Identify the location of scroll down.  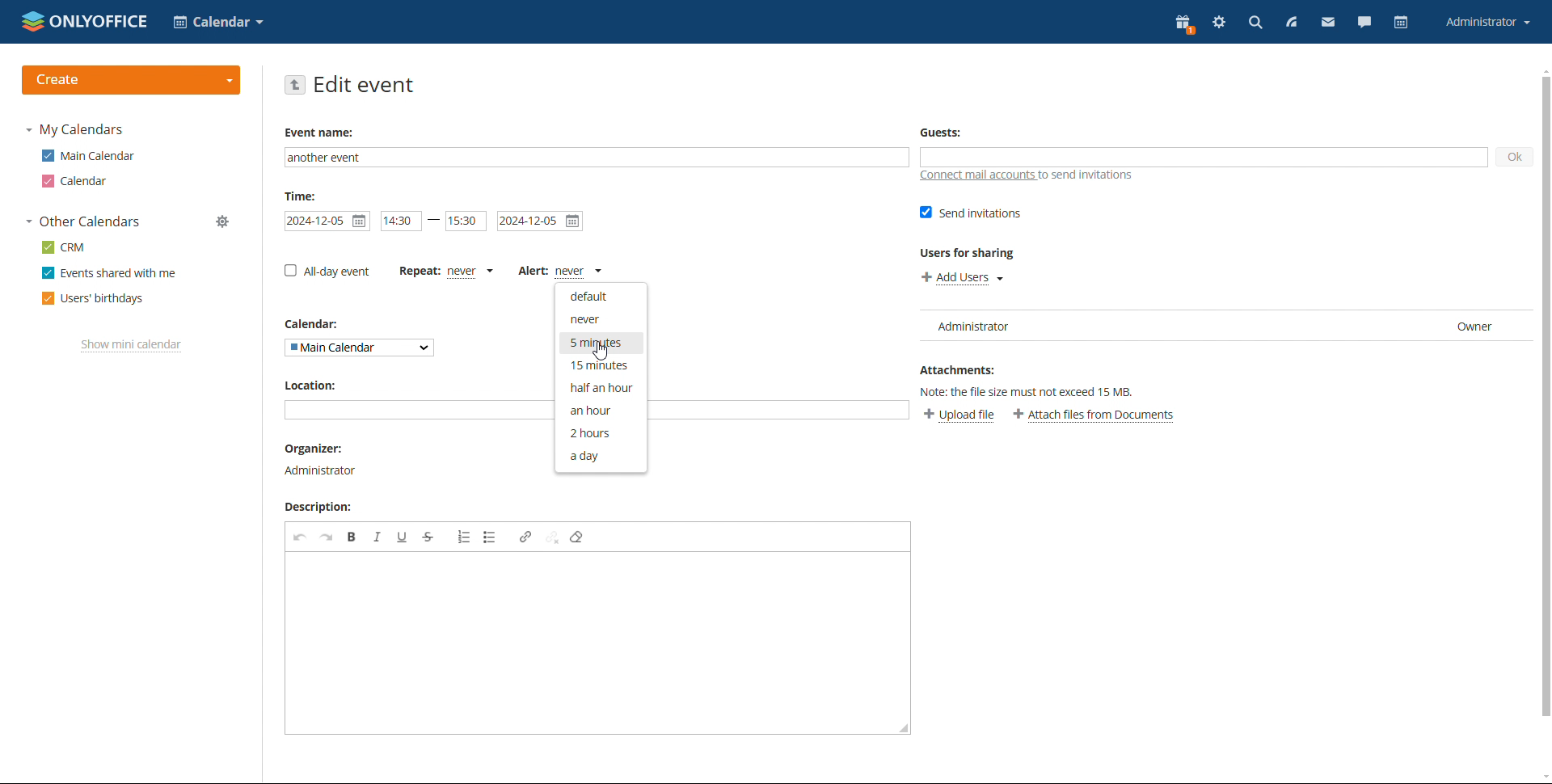
(1542, 777).